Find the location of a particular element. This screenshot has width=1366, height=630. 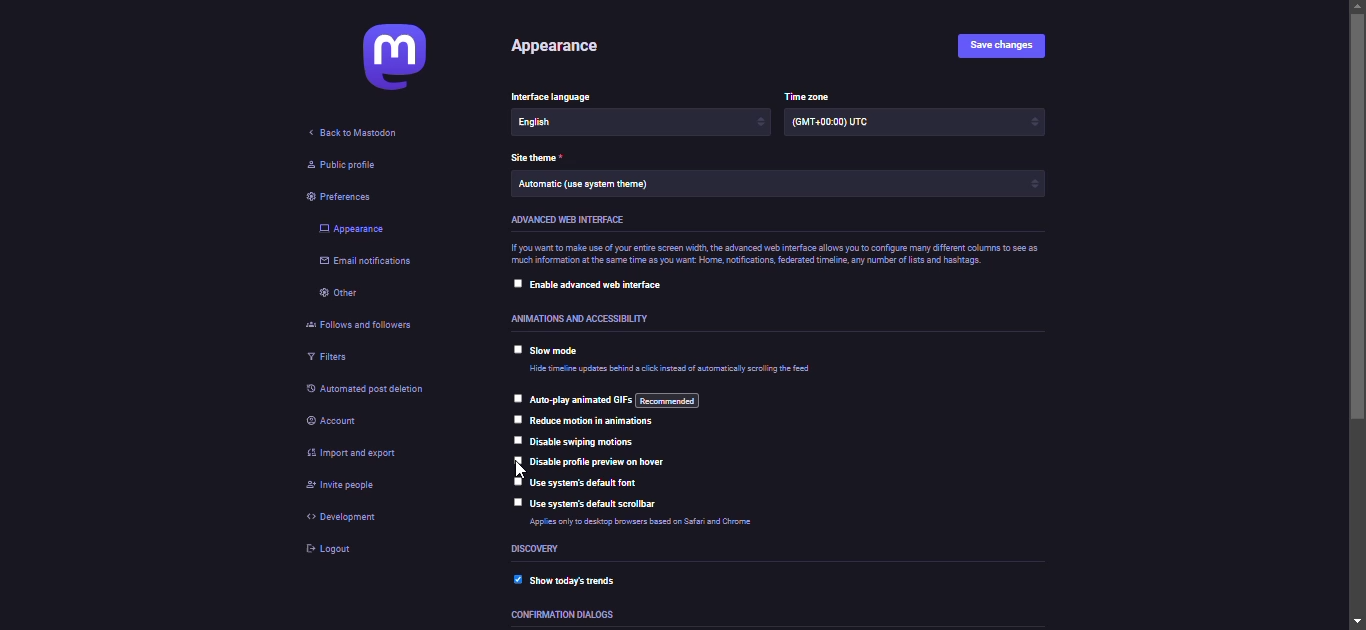

auto play animated gif's is located at coordinates (611, 399).